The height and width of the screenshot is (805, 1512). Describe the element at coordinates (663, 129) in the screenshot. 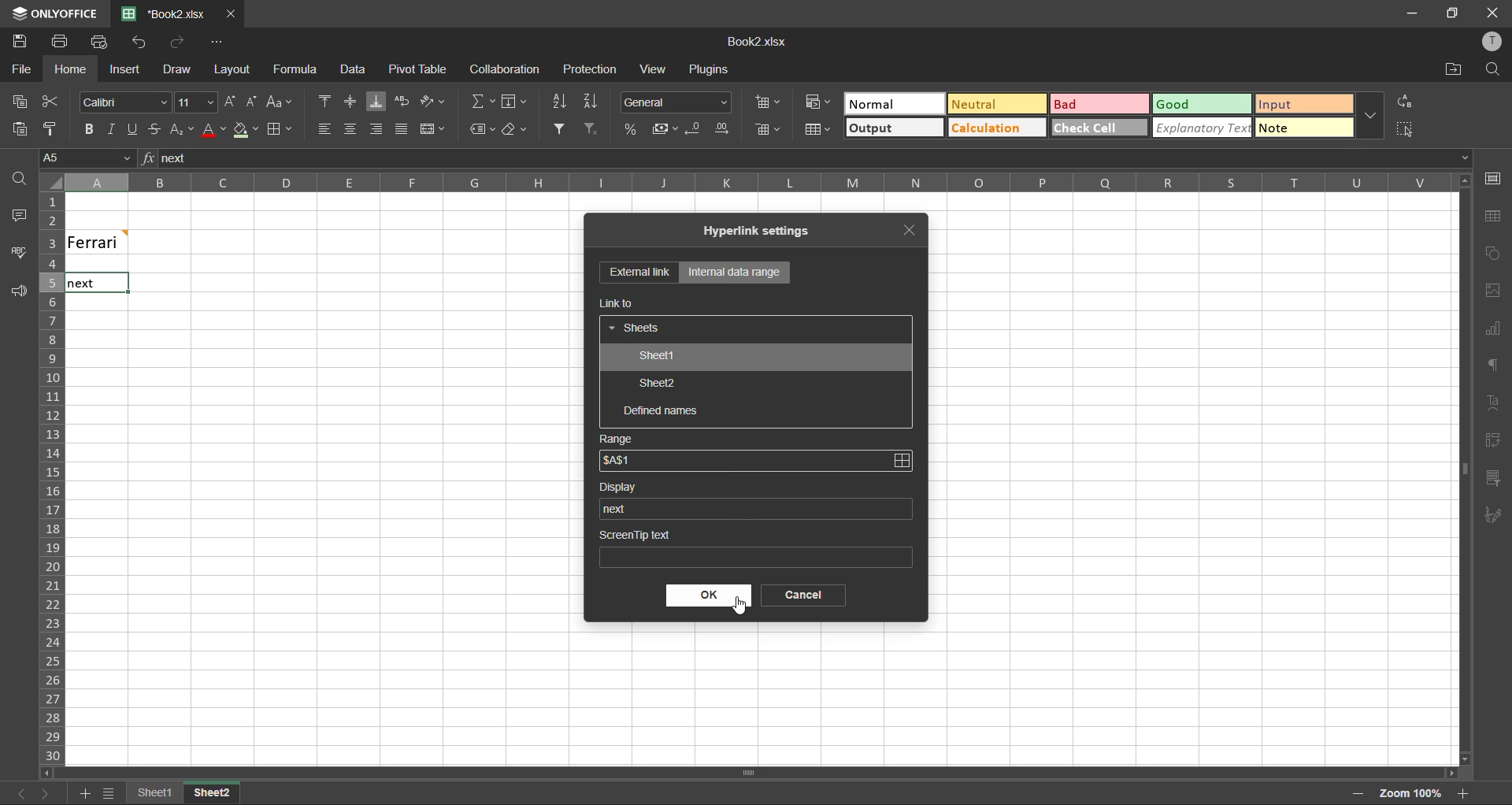

I see `accounting` at that location.